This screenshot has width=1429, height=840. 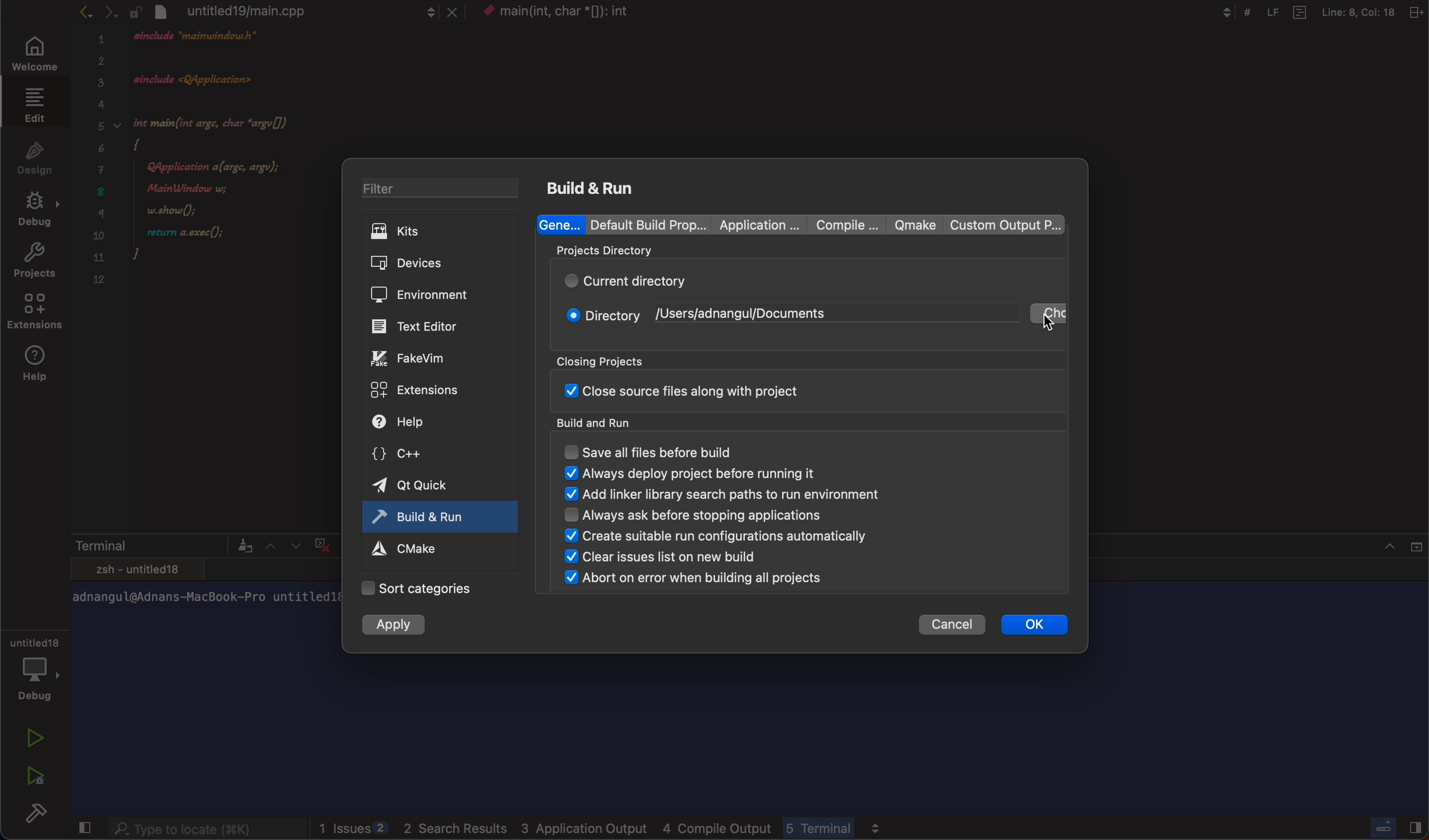 What do you see at coordinates (715, 538) in the screenshot?
I see `create suitable run configuration ` at bounding box center [715, 538].